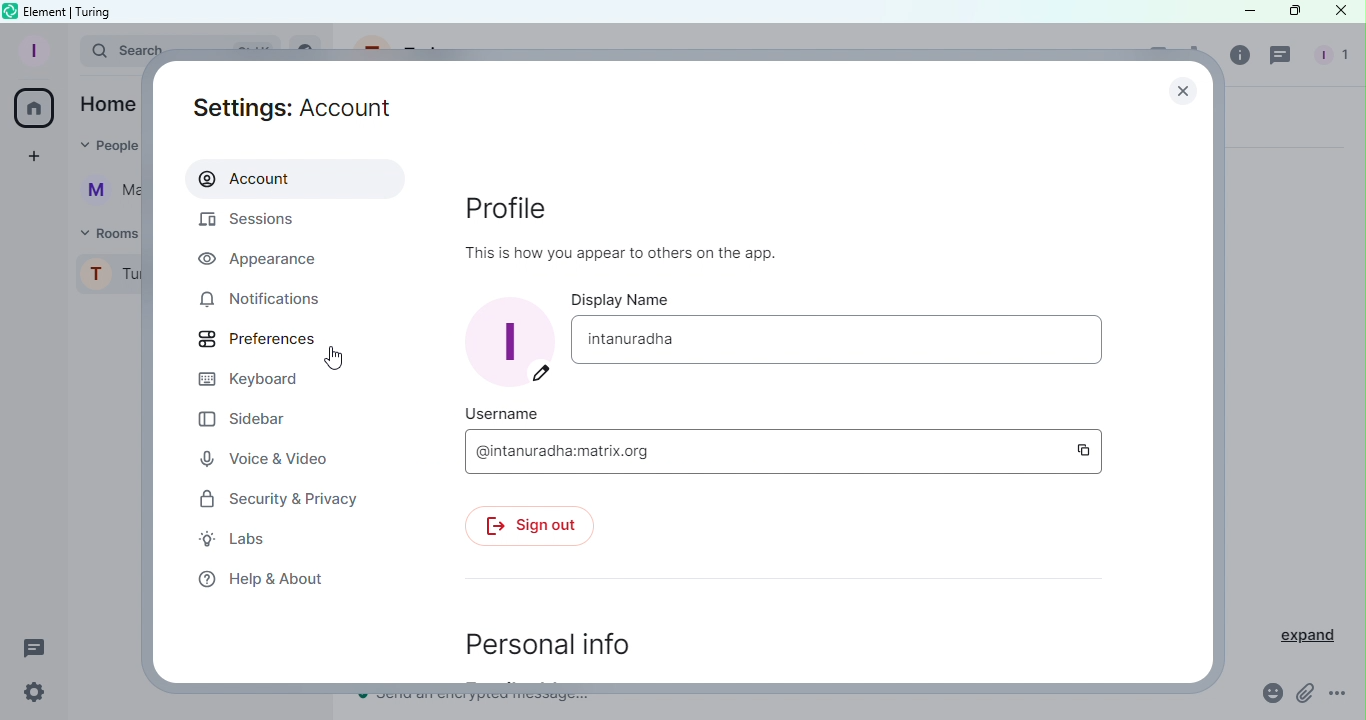  I want to click on Rooms, so click(106, 232).